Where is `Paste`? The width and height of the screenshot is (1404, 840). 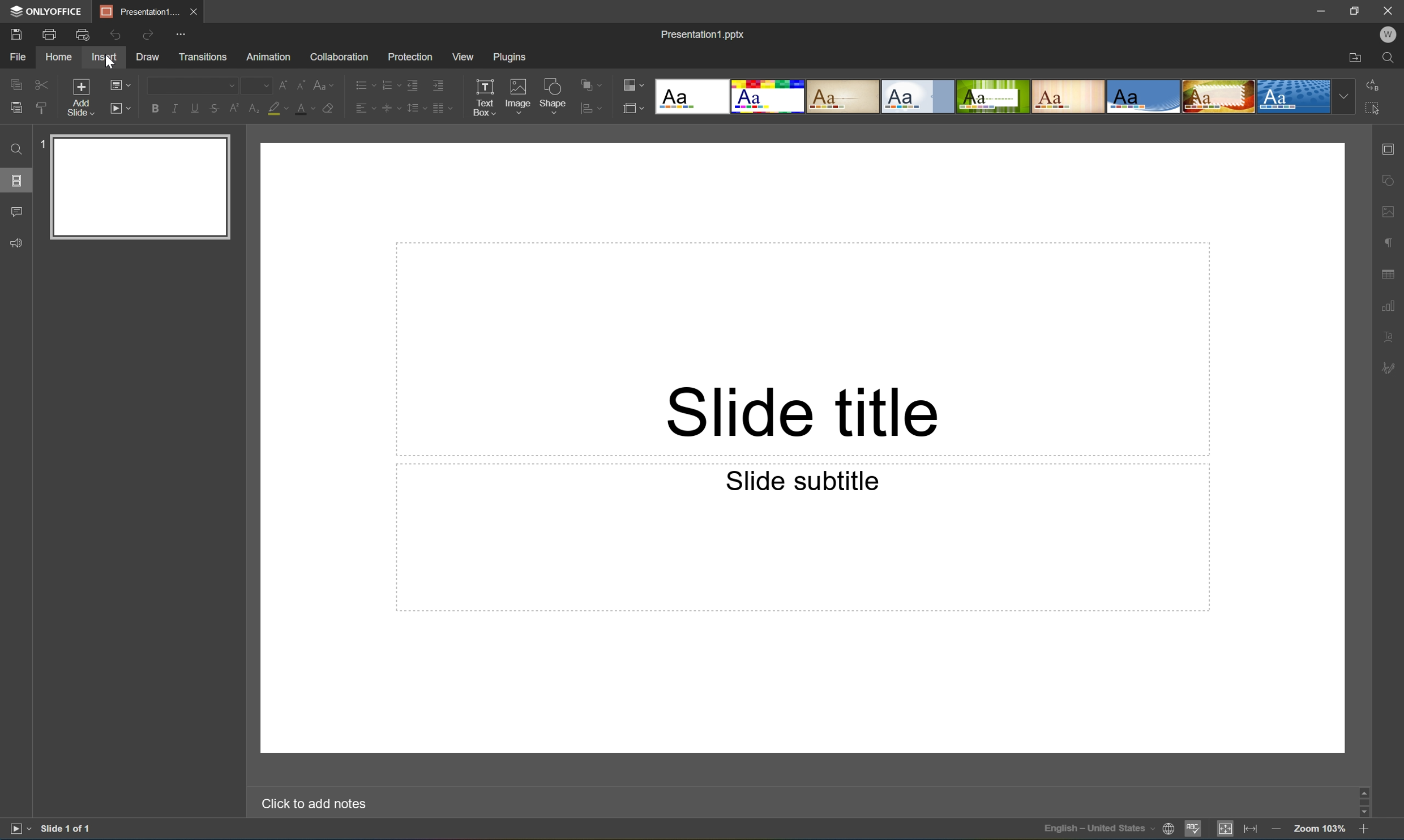 Paste is located at coordinates (16, 108).